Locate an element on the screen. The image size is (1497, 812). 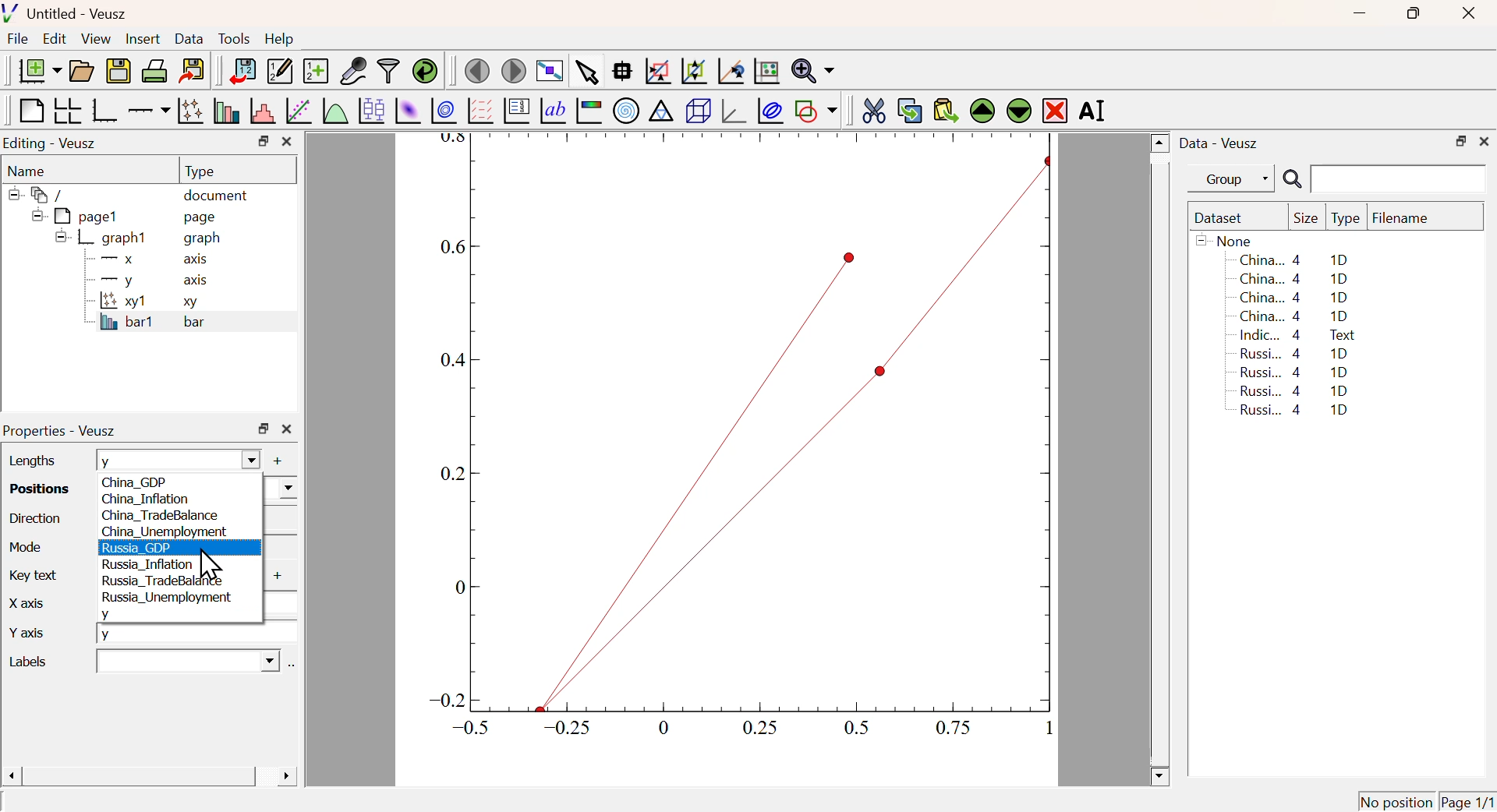
Select using dataset Browser is located at coordinates (292, 667).